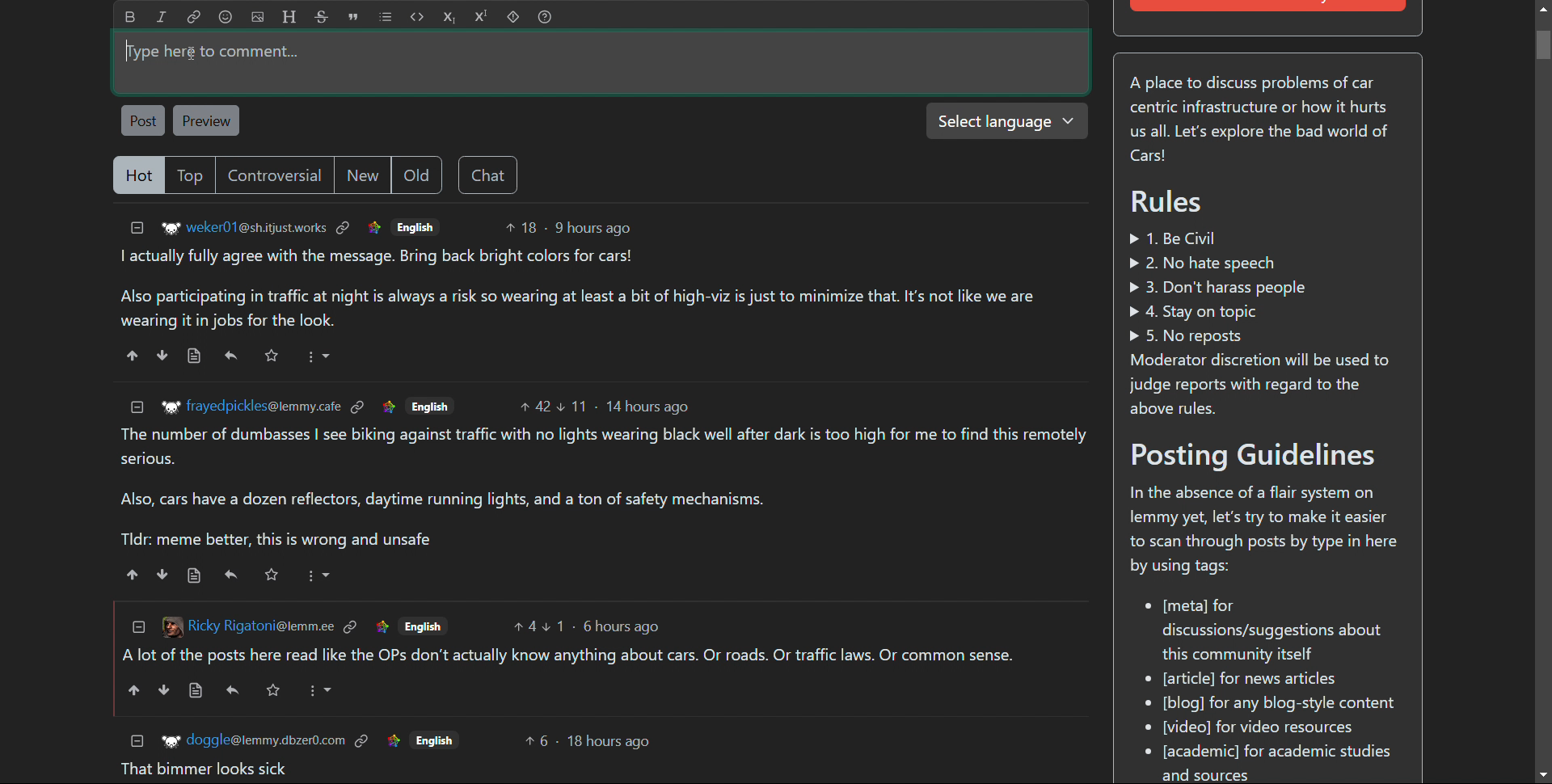 This screenshot has height=784, width=1552. Describe the element at coordinates (1006, 121) in the screenshot. I see `select language` at that location.